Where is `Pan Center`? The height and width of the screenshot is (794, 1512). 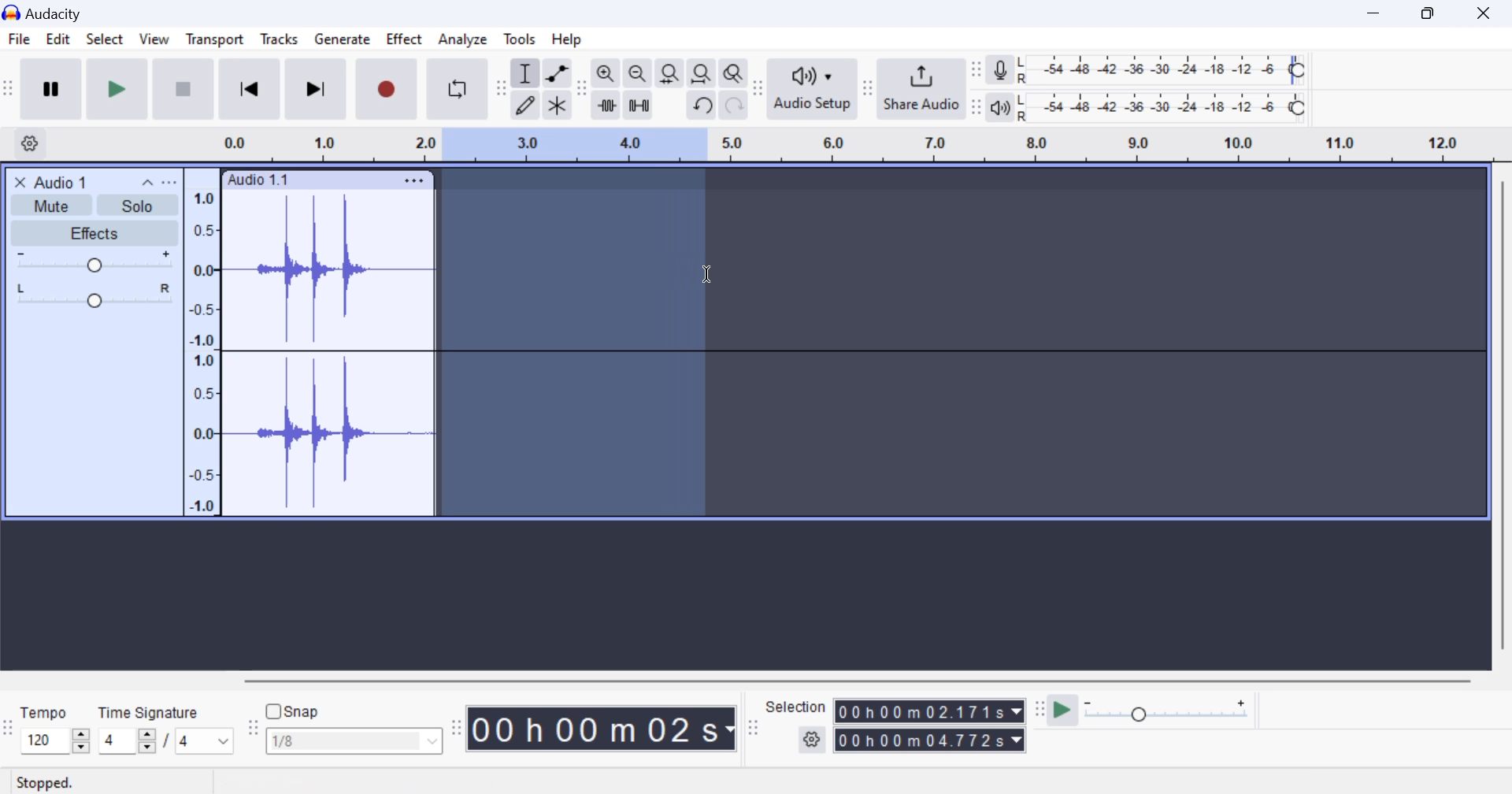
Pan Center is located at coordinates (98, 295).